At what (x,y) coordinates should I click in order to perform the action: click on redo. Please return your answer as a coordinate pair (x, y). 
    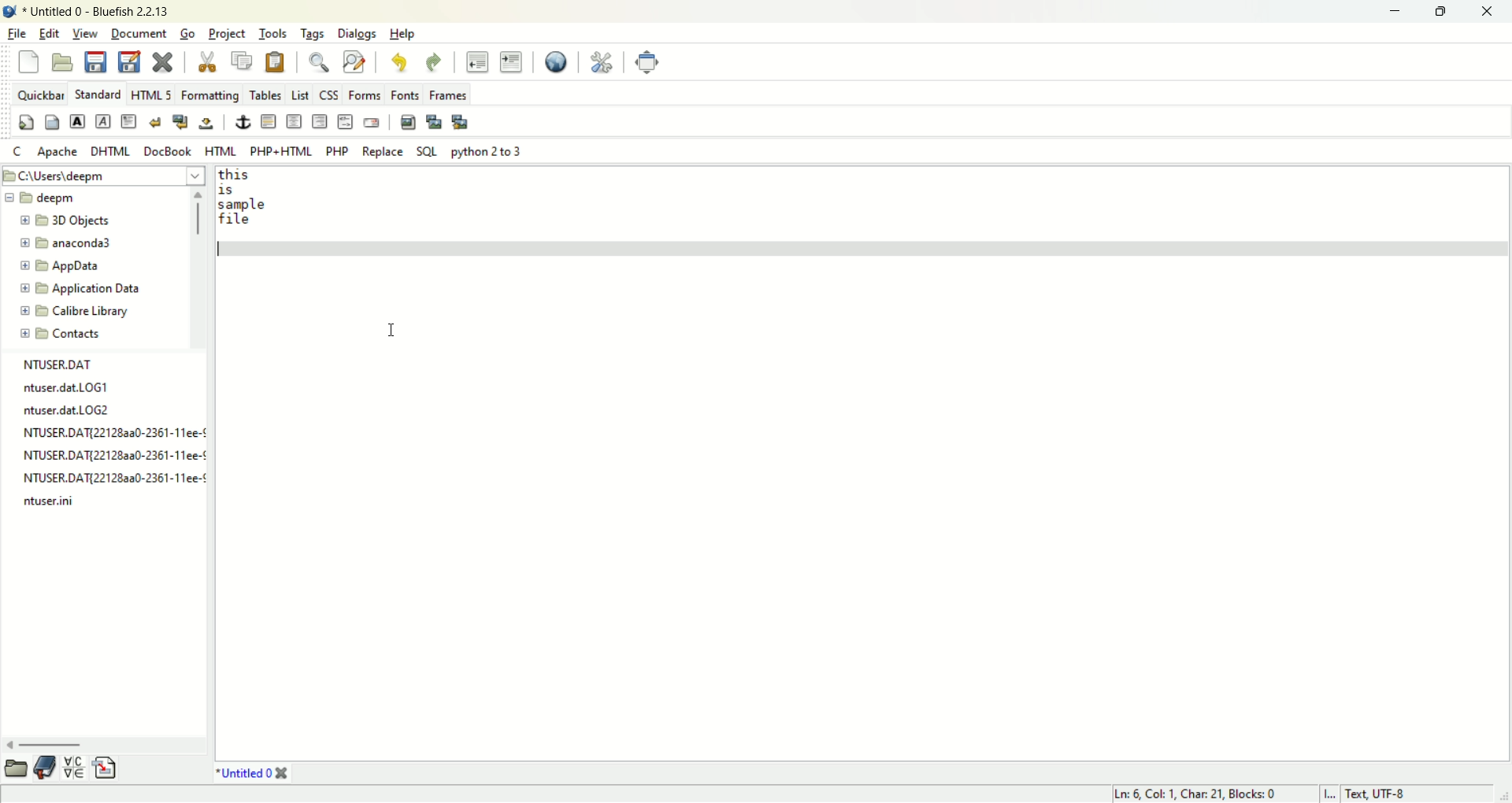
    Looking at the image, I should click on (435, 62).